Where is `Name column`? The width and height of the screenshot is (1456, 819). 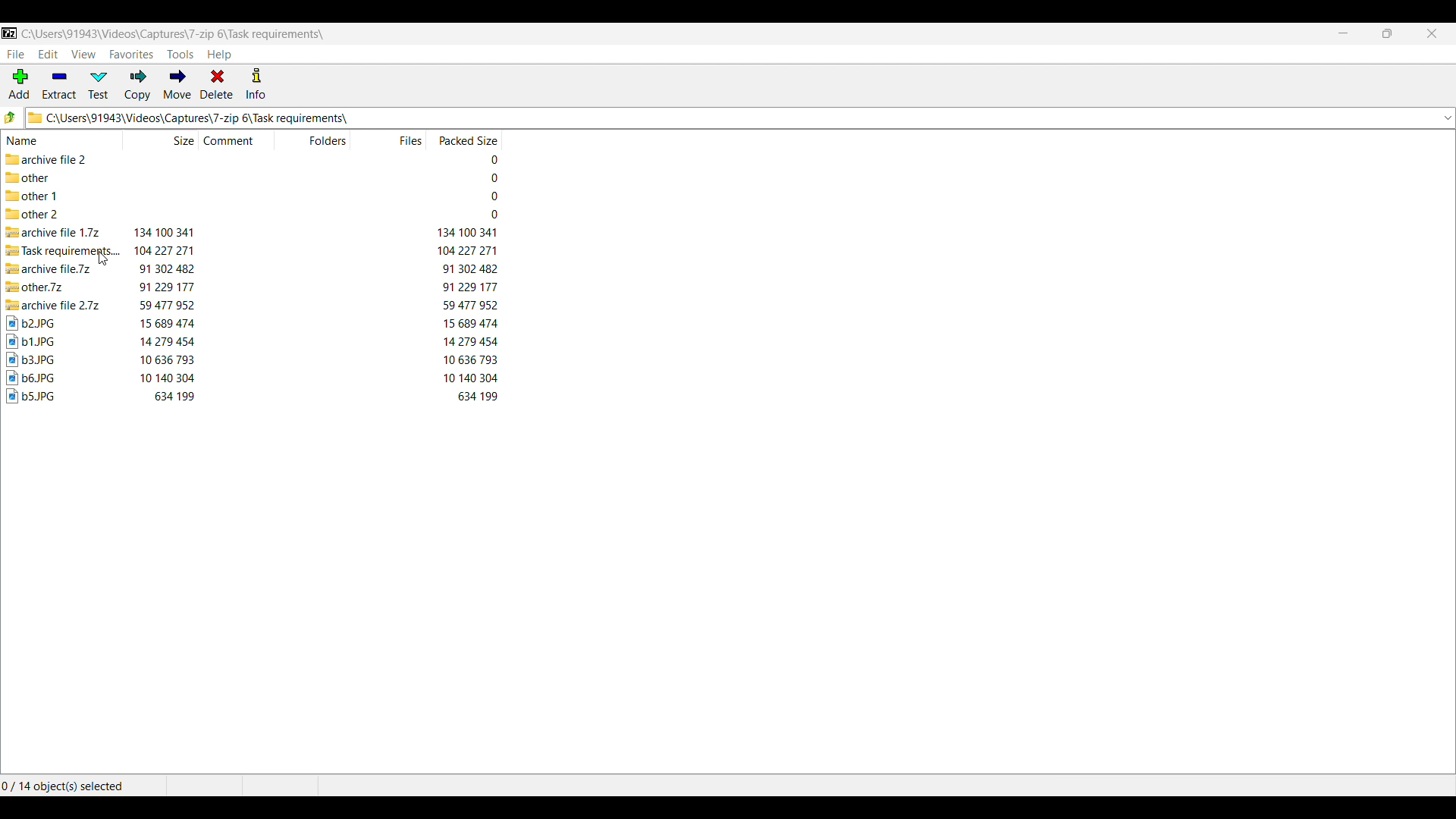
Name column is located at coordinates (63, 140).